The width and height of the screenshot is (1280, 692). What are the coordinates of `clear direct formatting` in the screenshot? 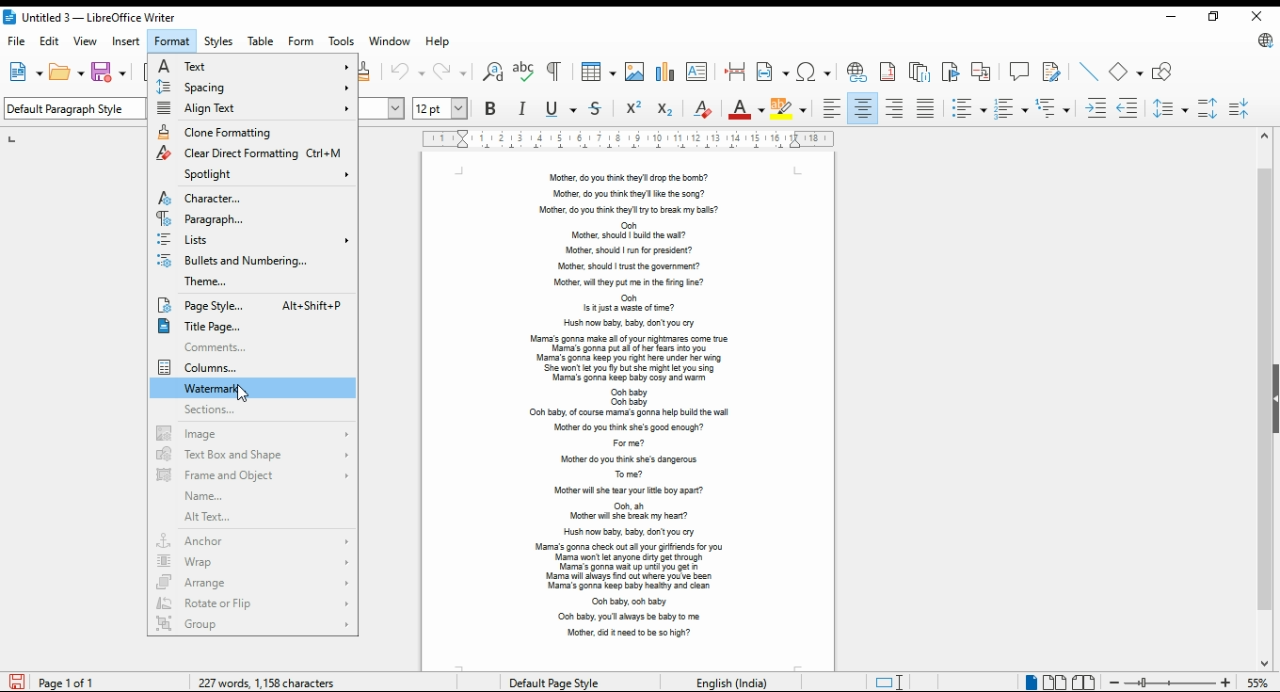 It's located at (703, 108).